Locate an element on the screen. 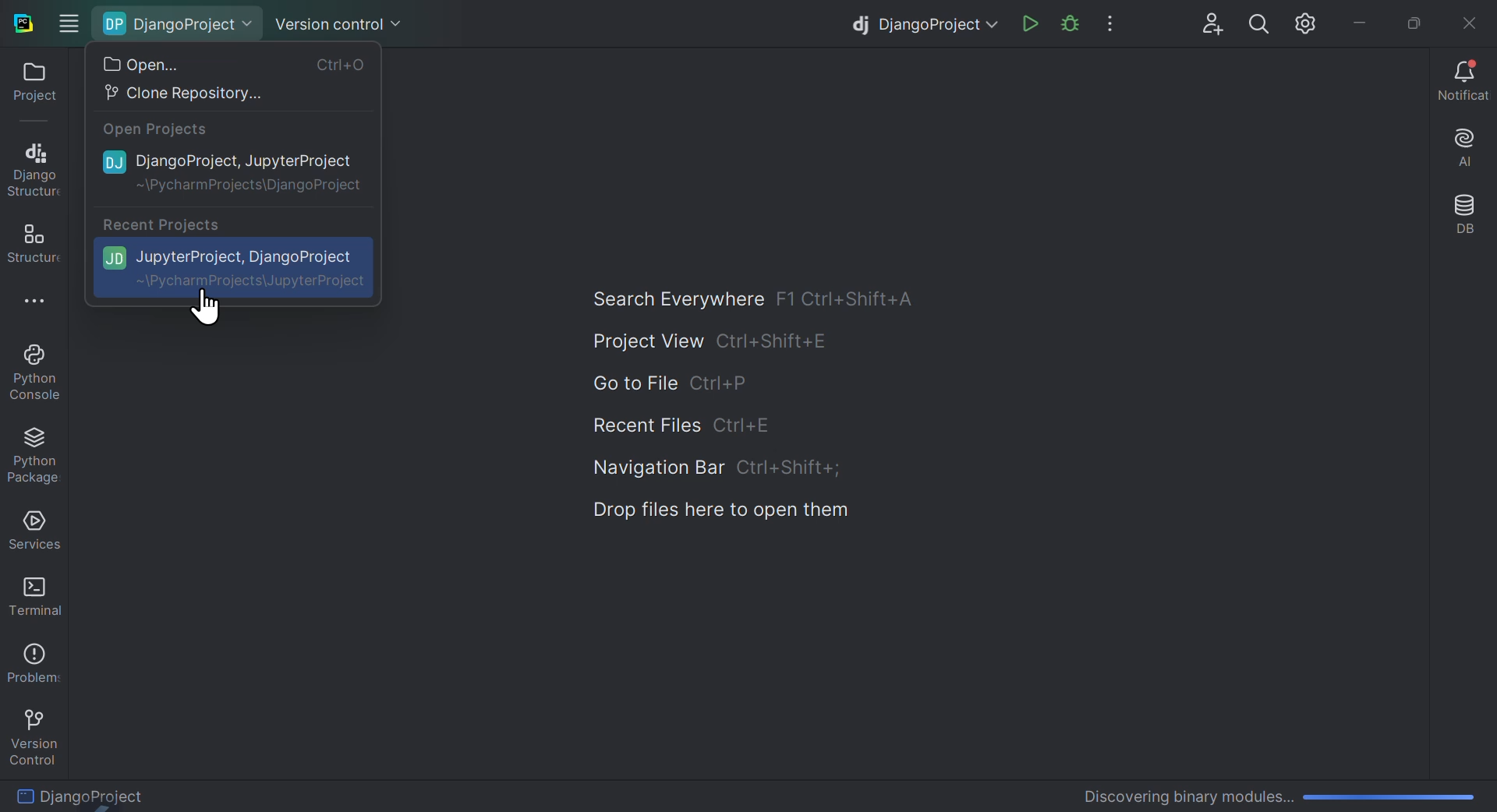 The height and width of the screenshot is (812, 1497). Notifications is located at coordinates (1463, 83).